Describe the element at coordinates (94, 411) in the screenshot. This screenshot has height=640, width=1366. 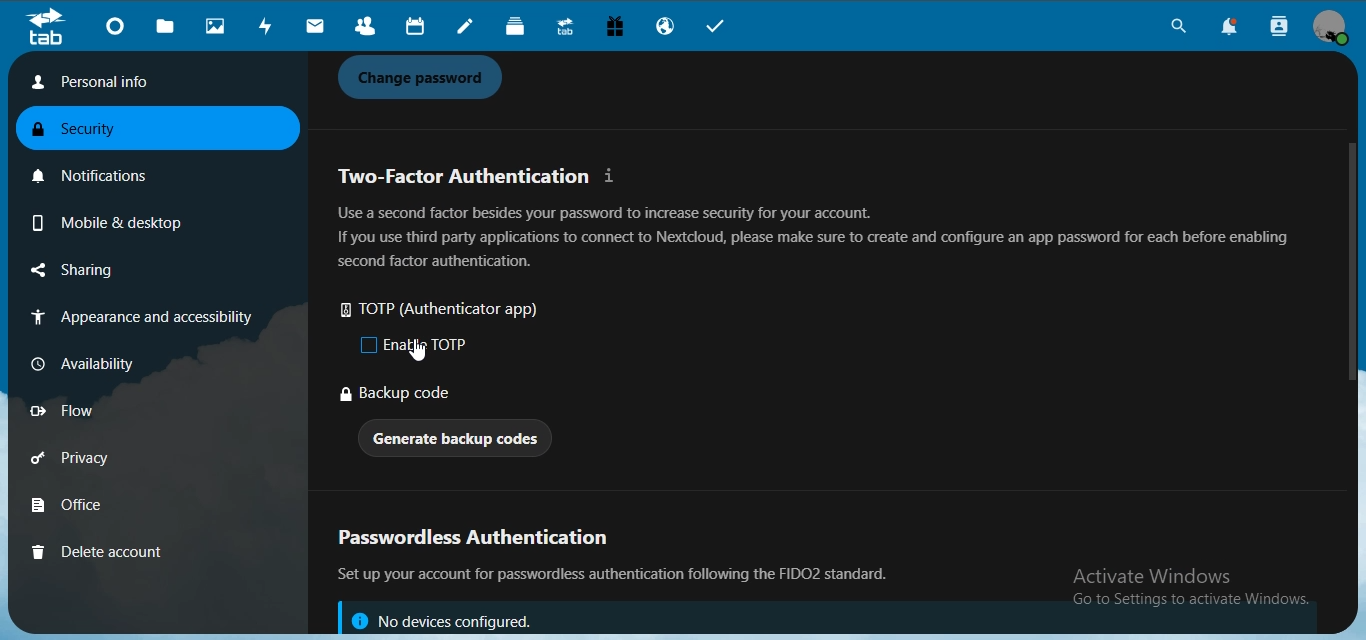
I see `flow` at that location.